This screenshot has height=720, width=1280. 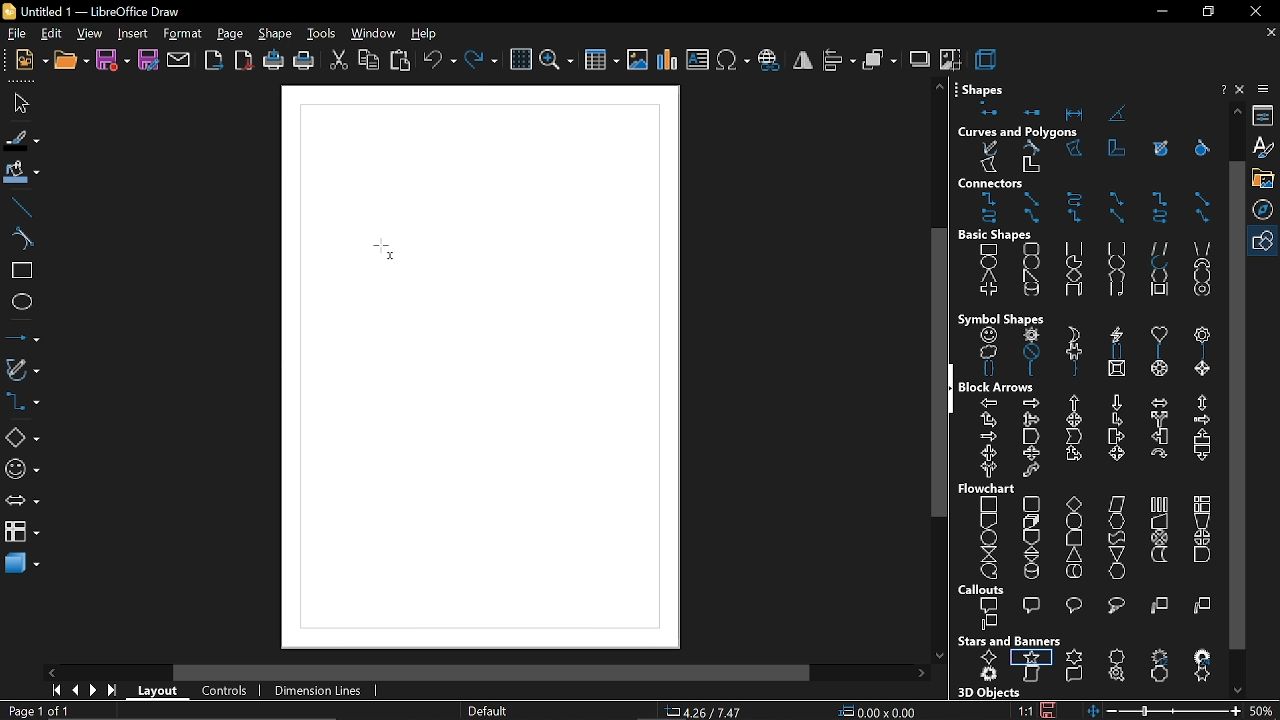 I want to click on grid, so click(x=520, y=60).